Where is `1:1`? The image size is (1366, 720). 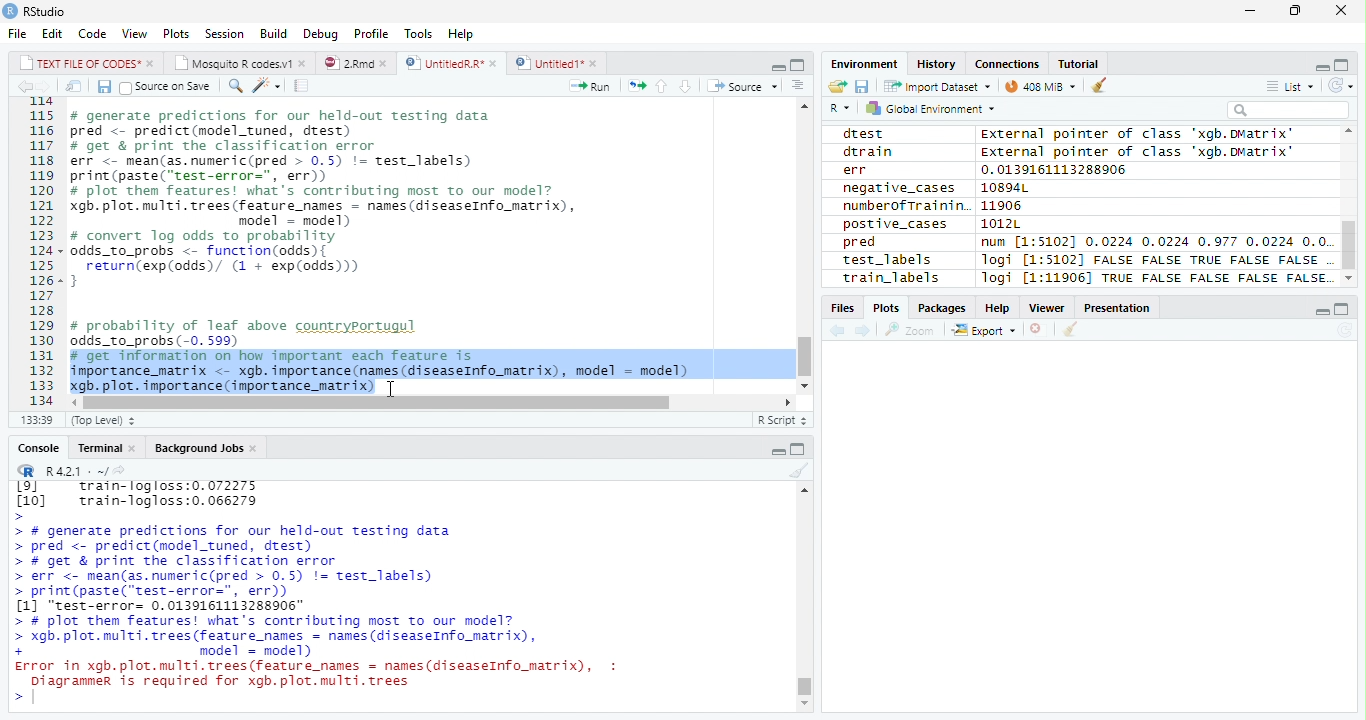
1:1 is located at coordinates (38, 419).